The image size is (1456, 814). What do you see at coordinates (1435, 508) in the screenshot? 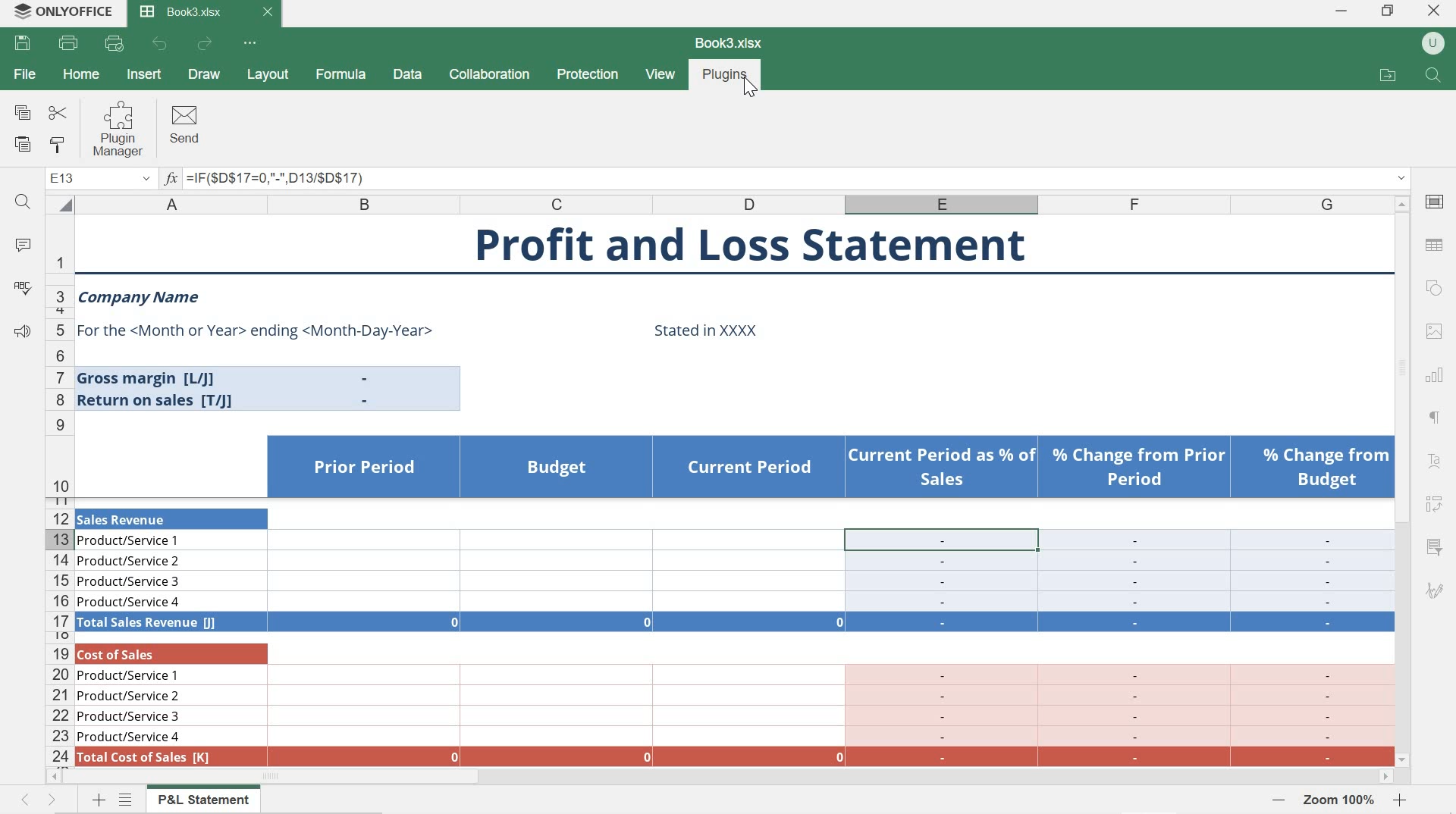
I see `pivot table` at bounding box center [1435, 508].